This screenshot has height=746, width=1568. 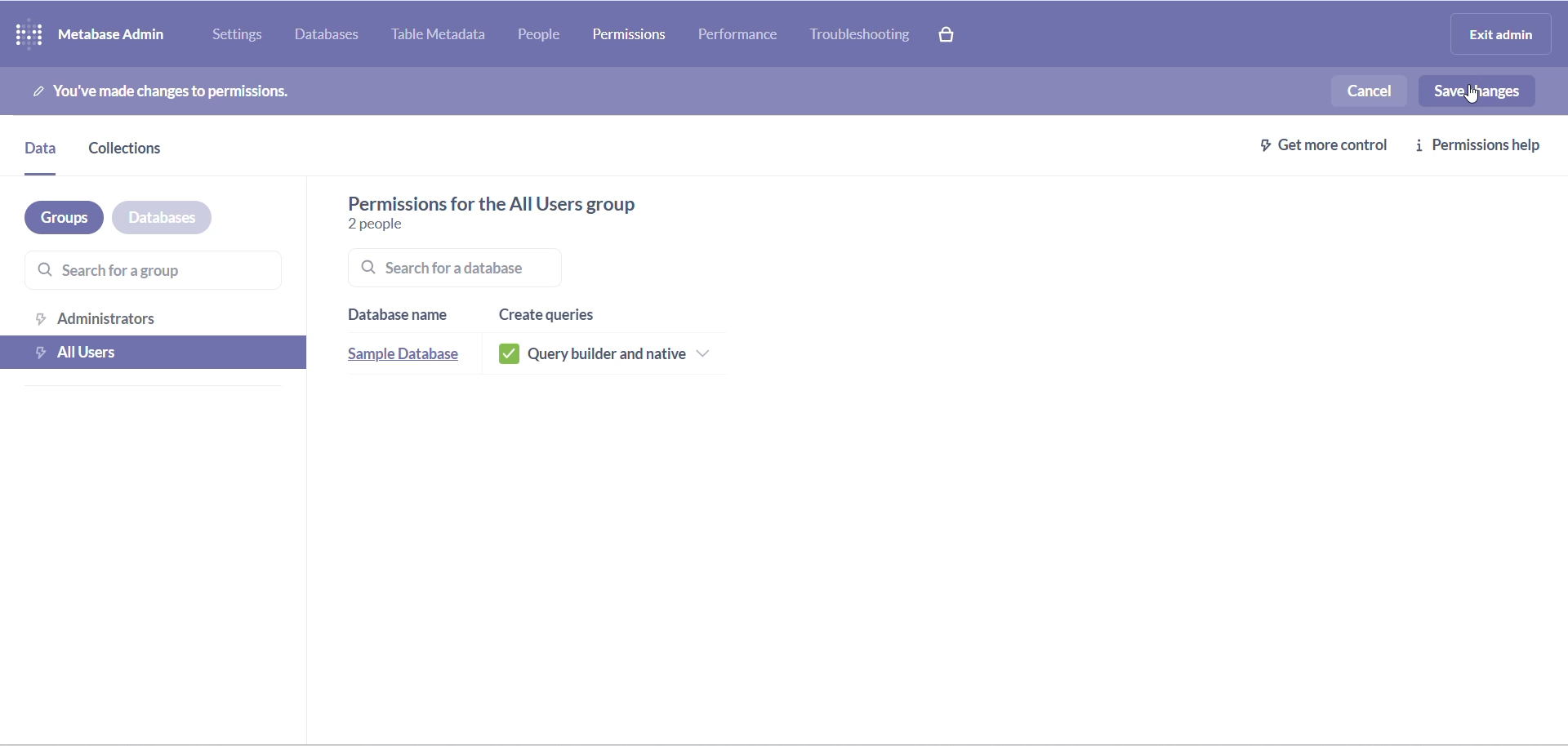 I want to click on performance, so click(x=739, y=33).